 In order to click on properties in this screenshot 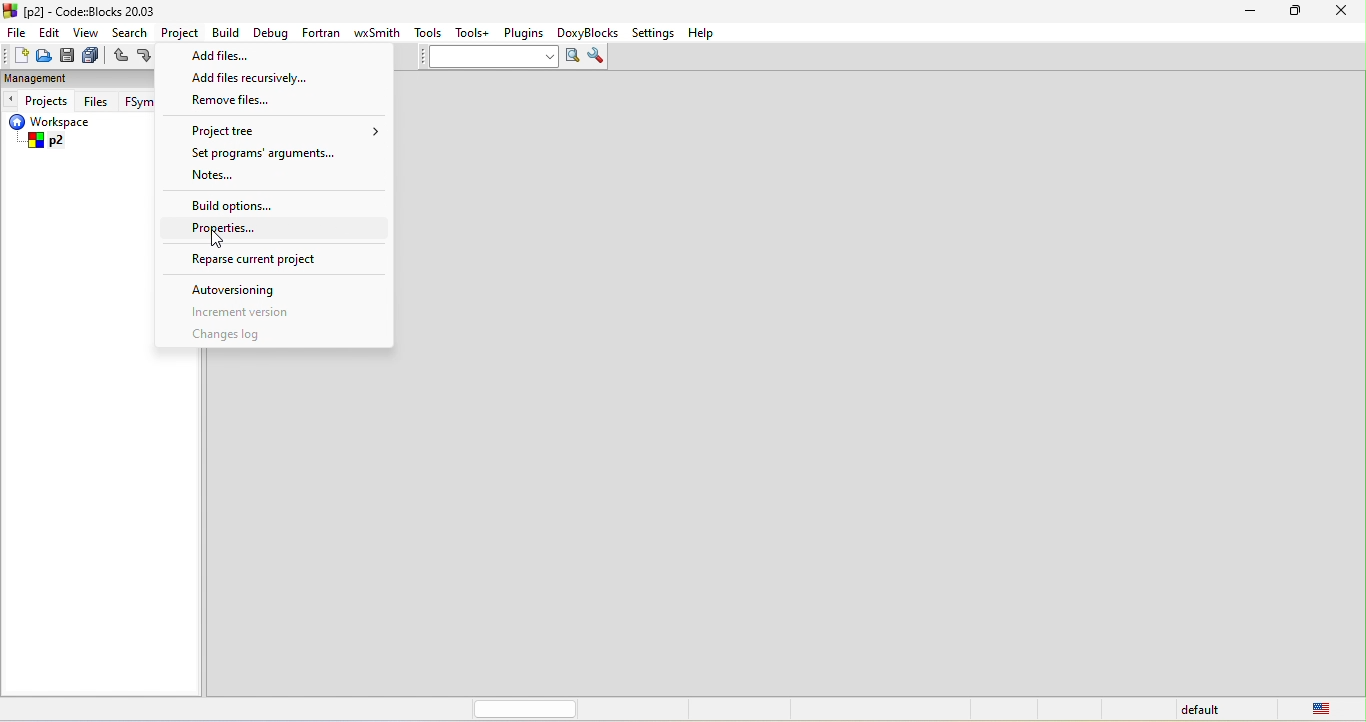, I will do `click(234, 232)`.